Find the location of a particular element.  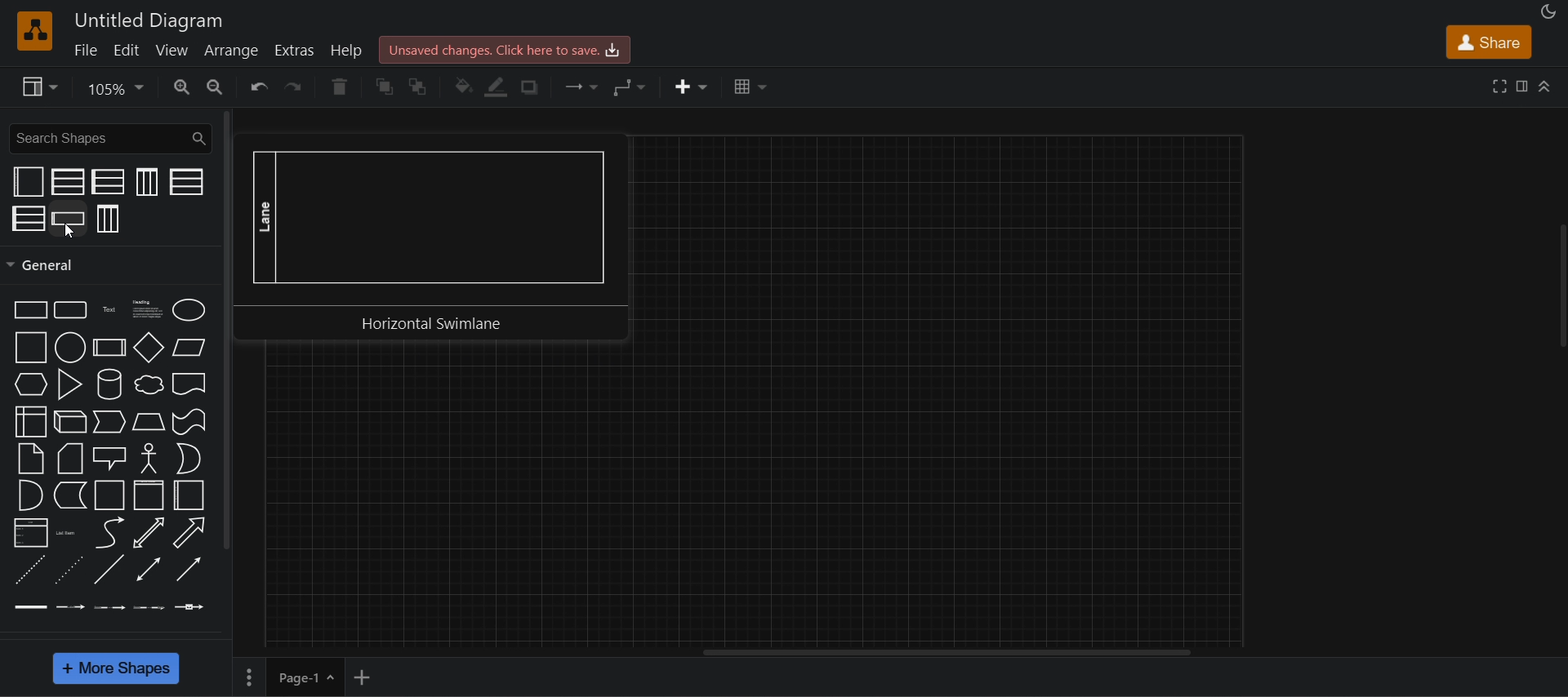

table is located at coordinates (752, 86).